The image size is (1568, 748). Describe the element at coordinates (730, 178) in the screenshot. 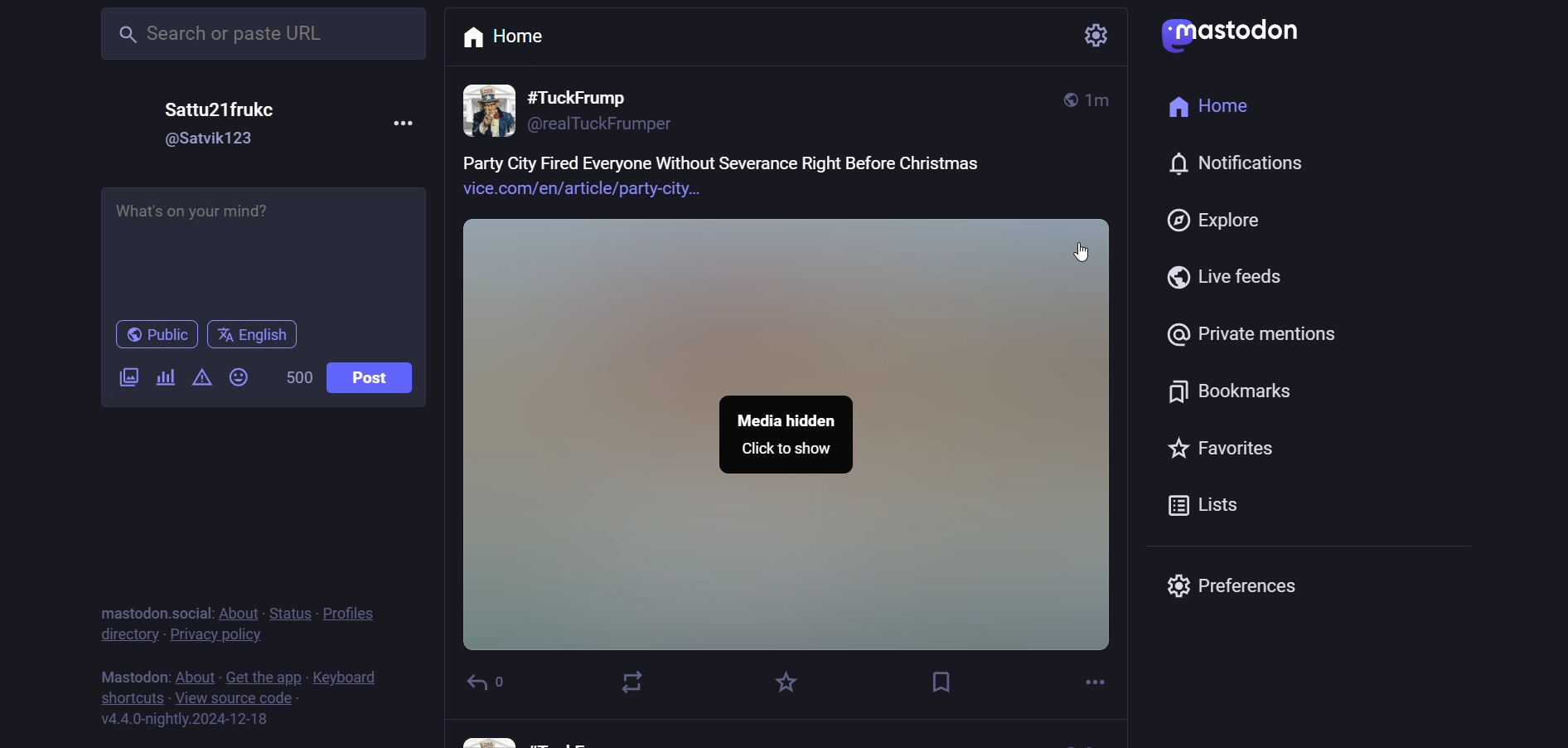

I see `post text` at that location.